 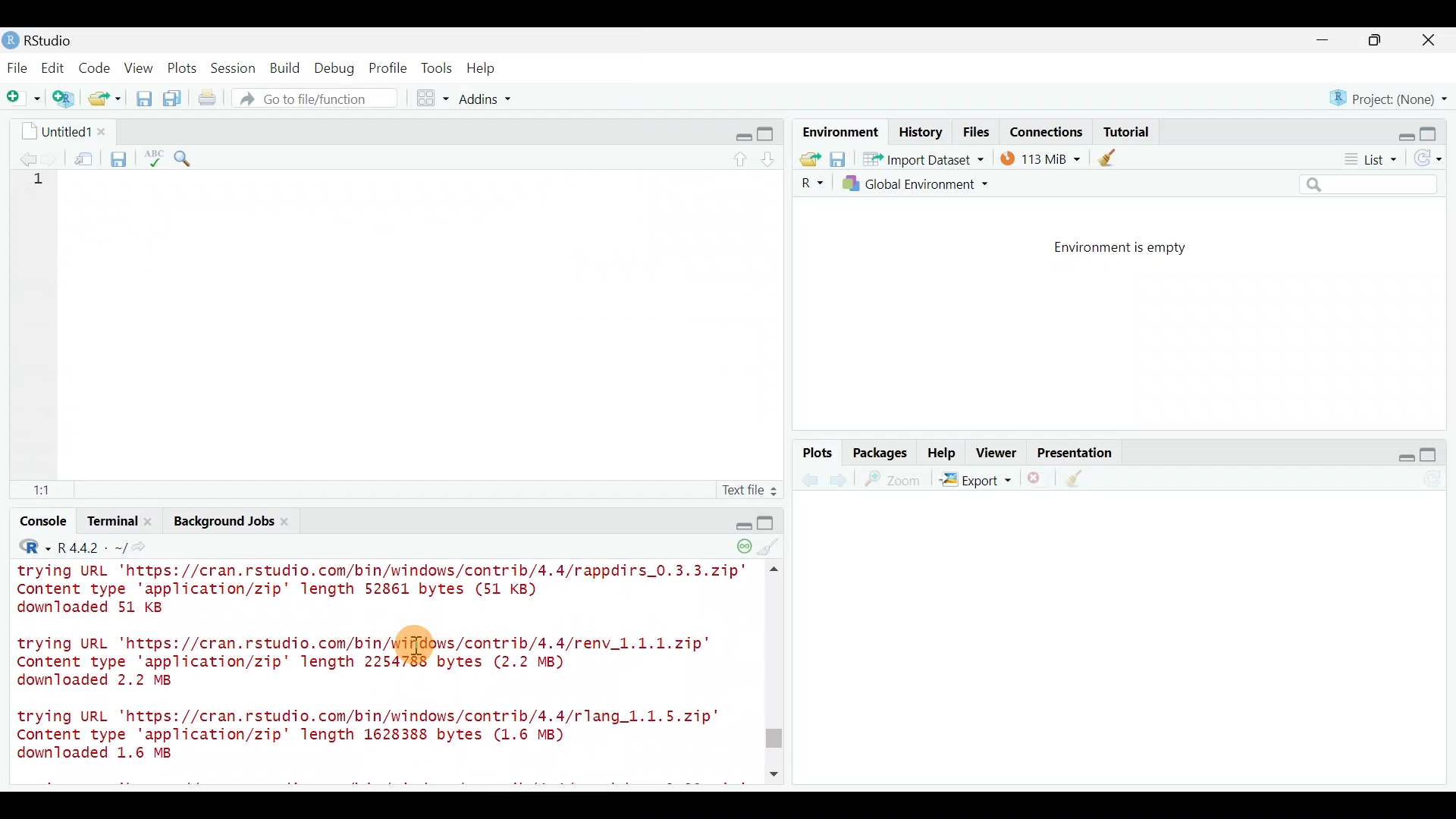 I want to click on Save all open documents, so click(x=174, y=99).